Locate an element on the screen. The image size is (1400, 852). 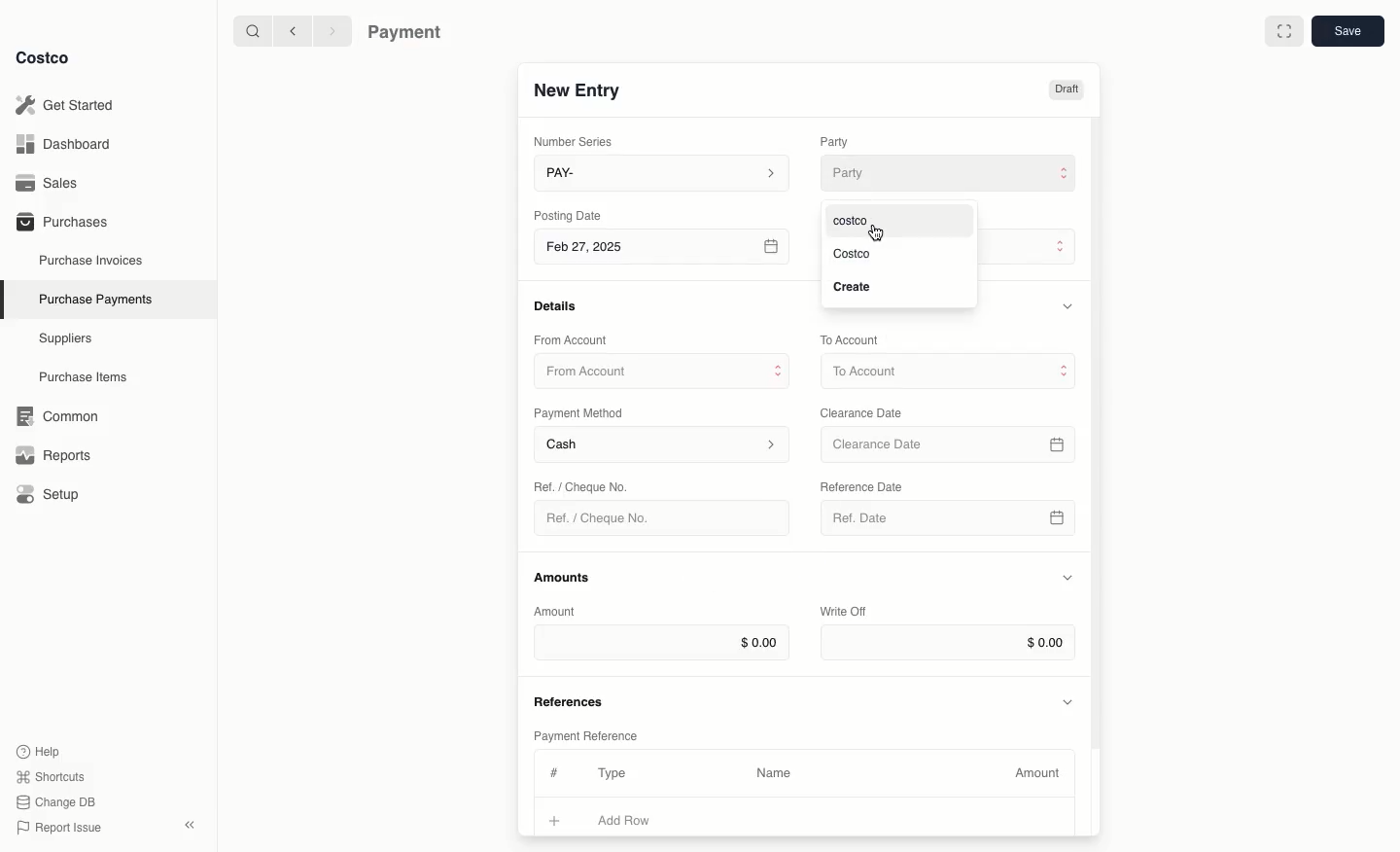
Amounts is located at coordinates (564, 577).